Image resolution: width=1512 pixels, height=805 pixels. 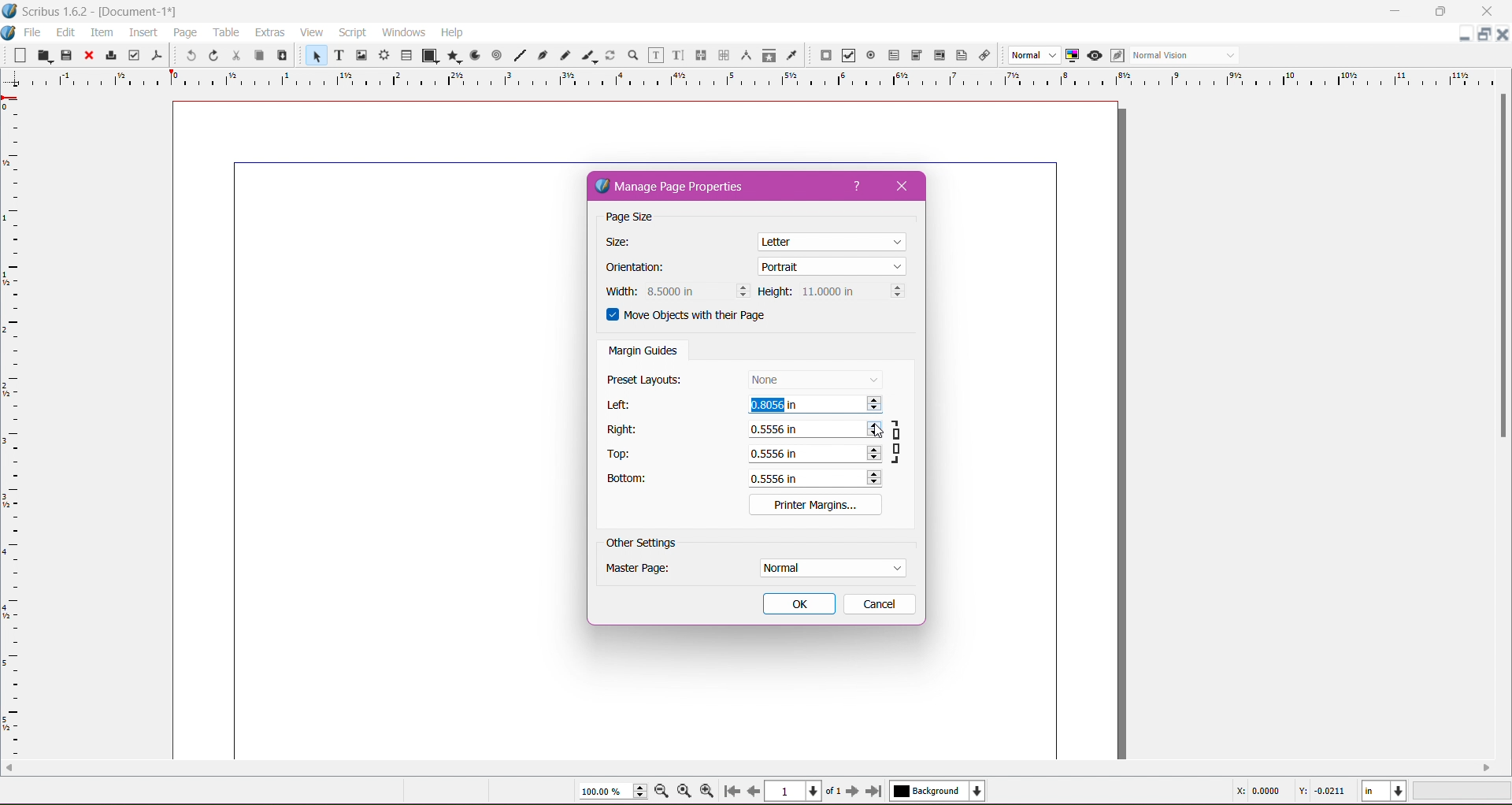 I want to click on Application Name, Version - Document Title, so click(x=106, y=12).